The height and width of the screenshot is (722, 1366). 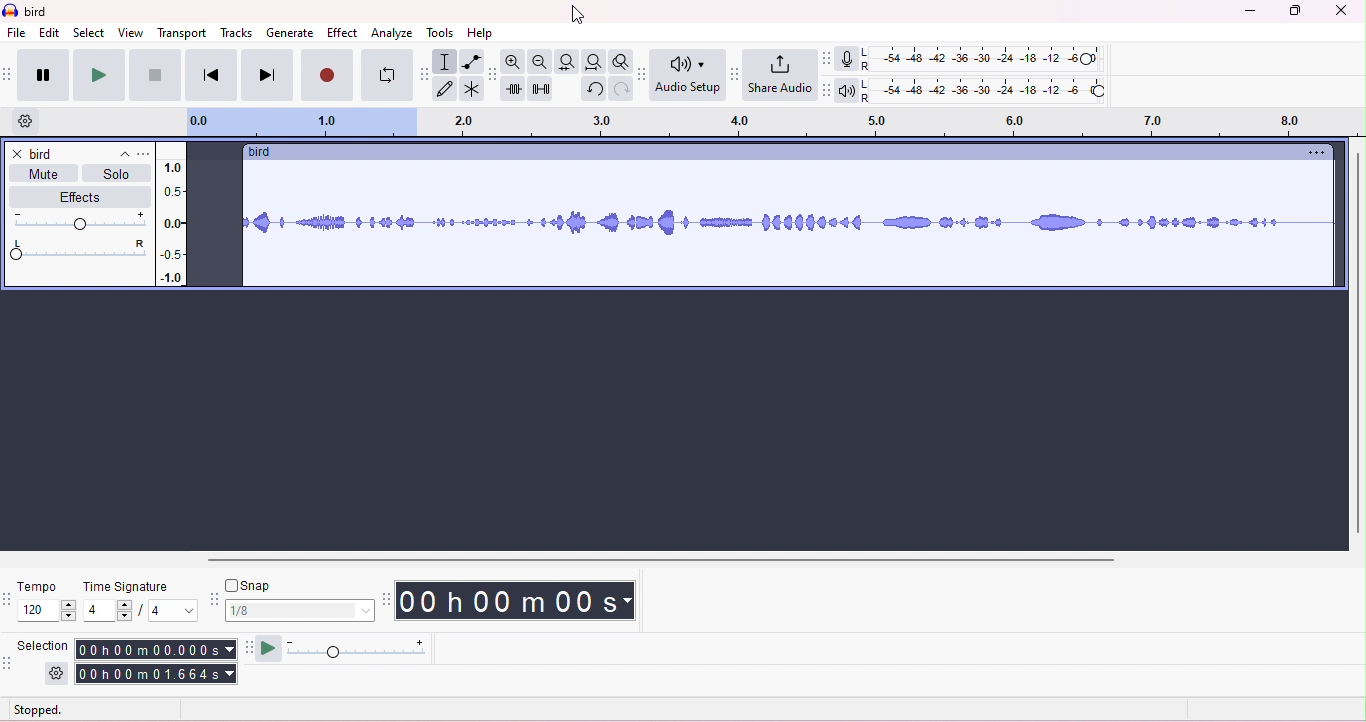 I want to click on record meter, so click(x=845, y=59).